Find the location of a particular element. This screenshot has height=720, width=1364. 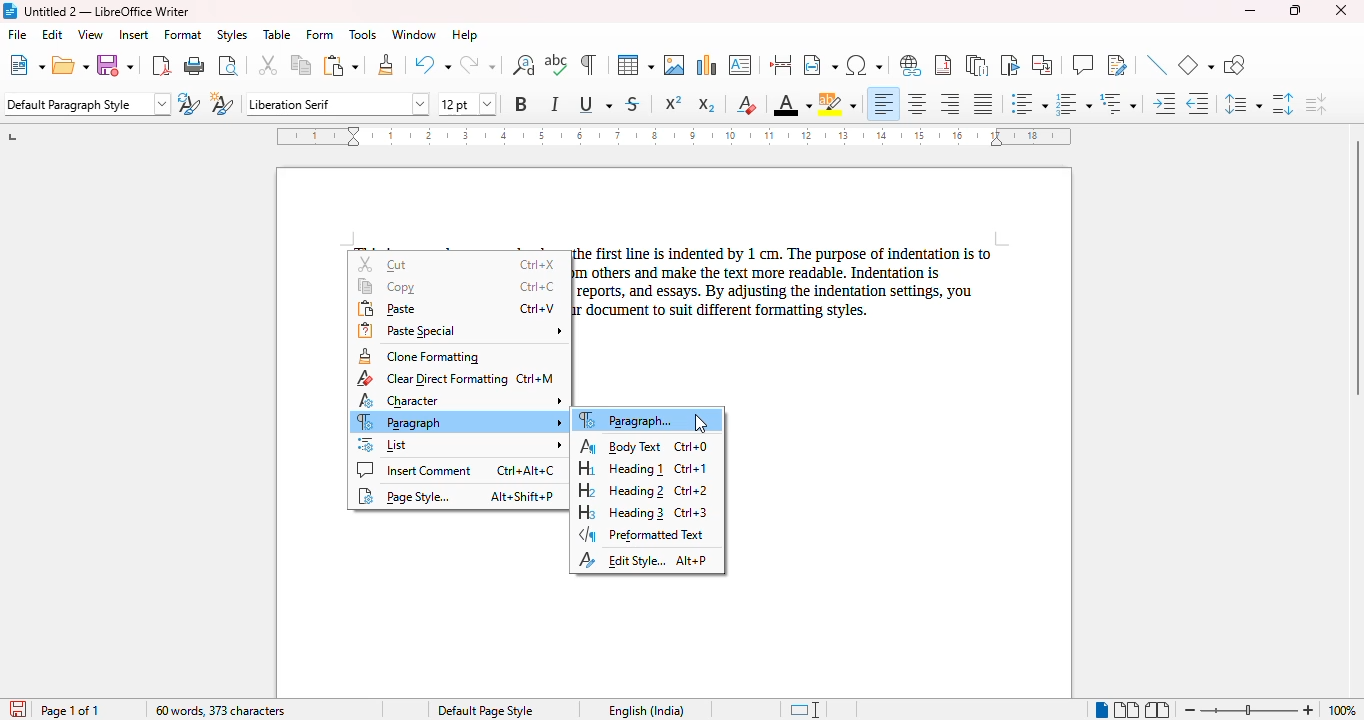

zoom factor is located at coordinates (1342, 710).